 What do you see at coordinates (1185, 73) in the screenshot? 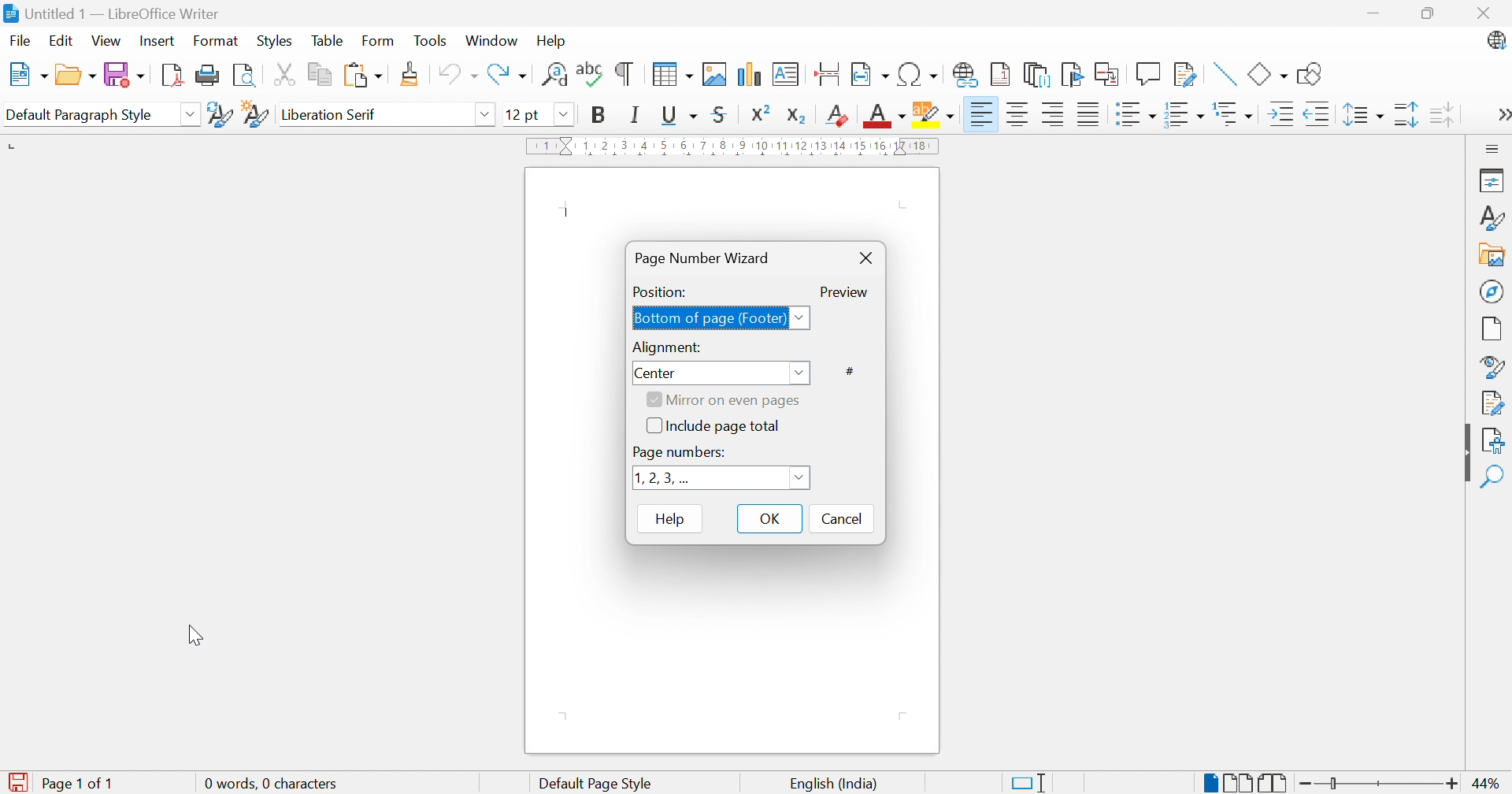
I see `Show track changes functions` at bounding box center [1185, 73].